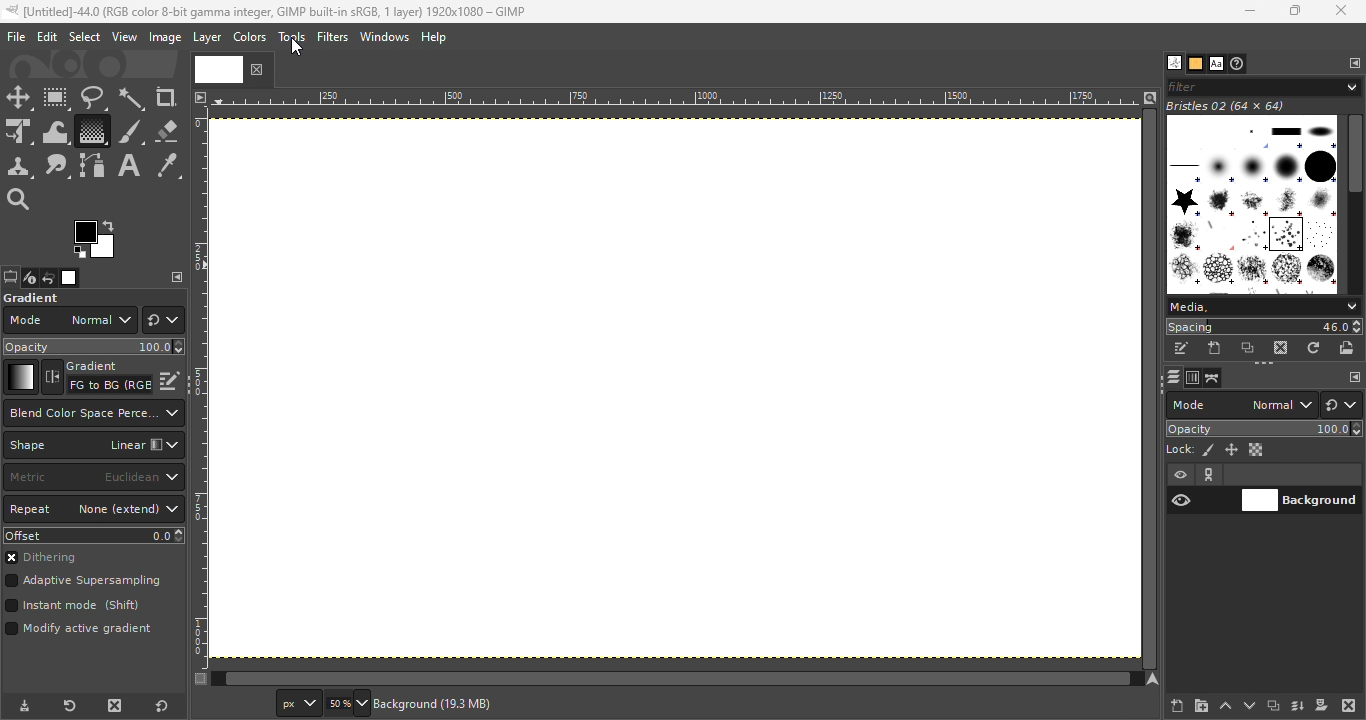 The width and height of the screenshot is (1366, 720). Describe the element at coordinates (1150, 97) in the screenshot. I see `Zoom image when window size changes` at that location.